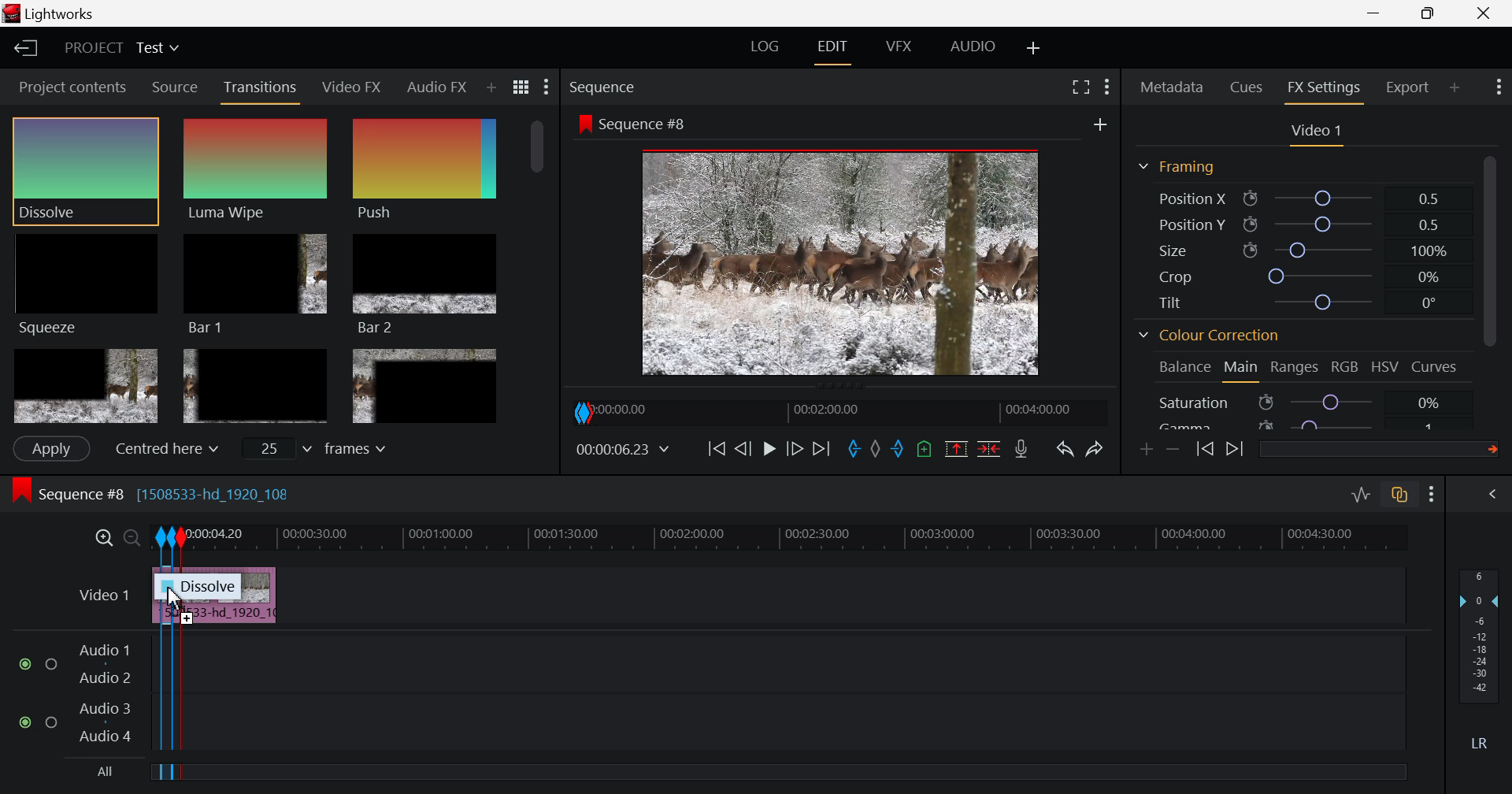 The image size is (1512, 794). I want to click on To End, so click(819, 452).